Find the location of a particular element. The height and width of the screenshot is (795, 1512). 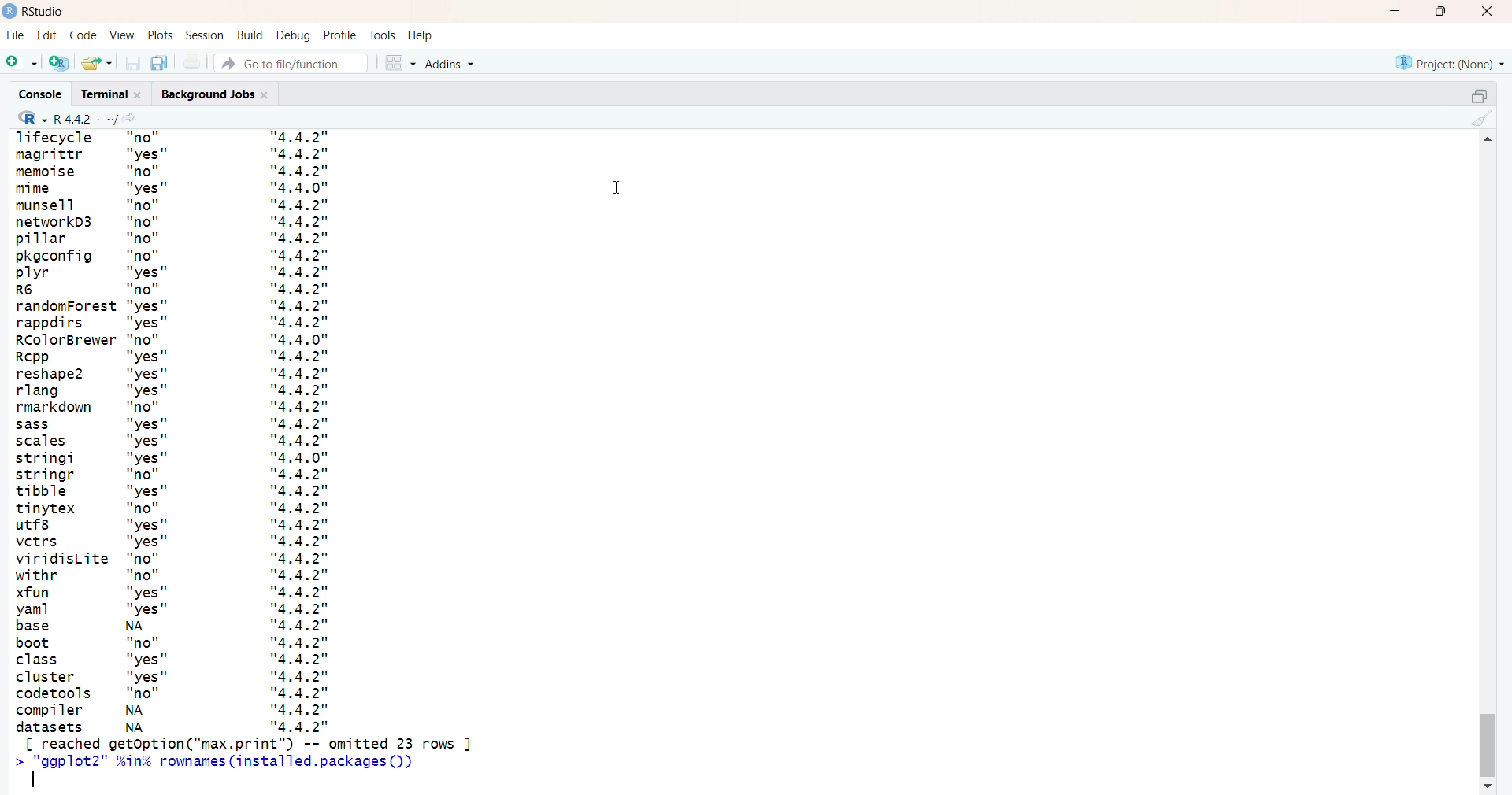

maximize is located at coordinates (1440, 11).